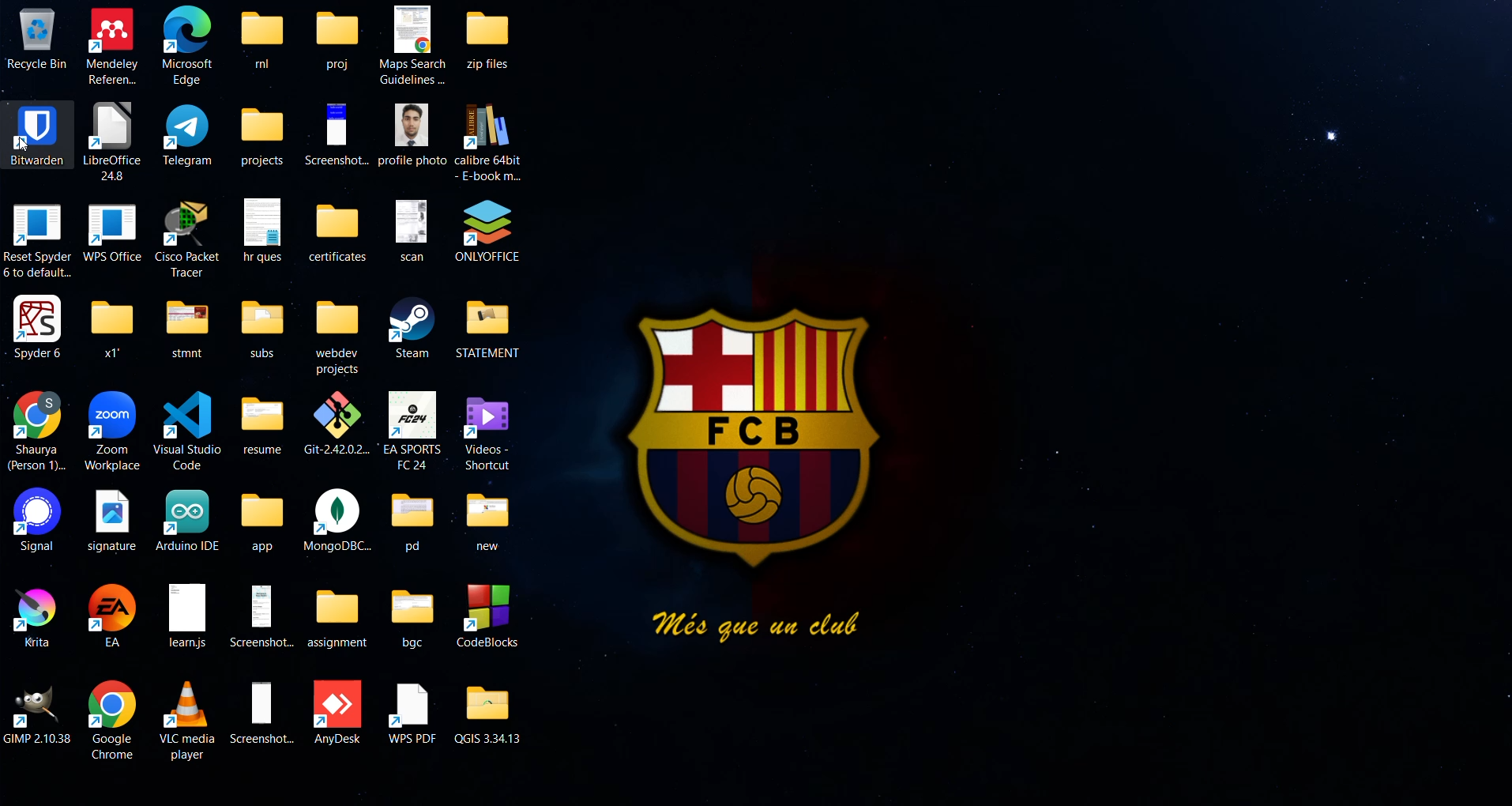 This screenshot has height=806, width=1512. I want to click on STATEMENT, so click(491, 329).